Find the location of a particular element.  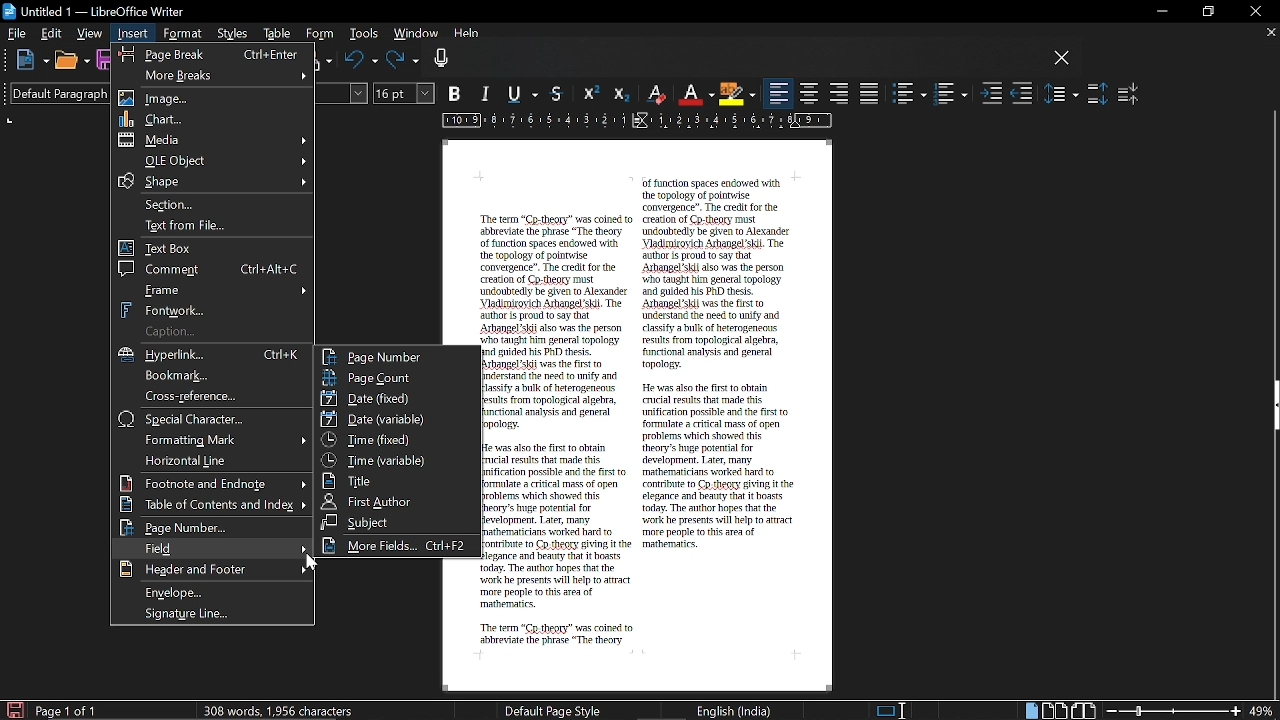

Current zoom is located at coordinates (1263, 711).